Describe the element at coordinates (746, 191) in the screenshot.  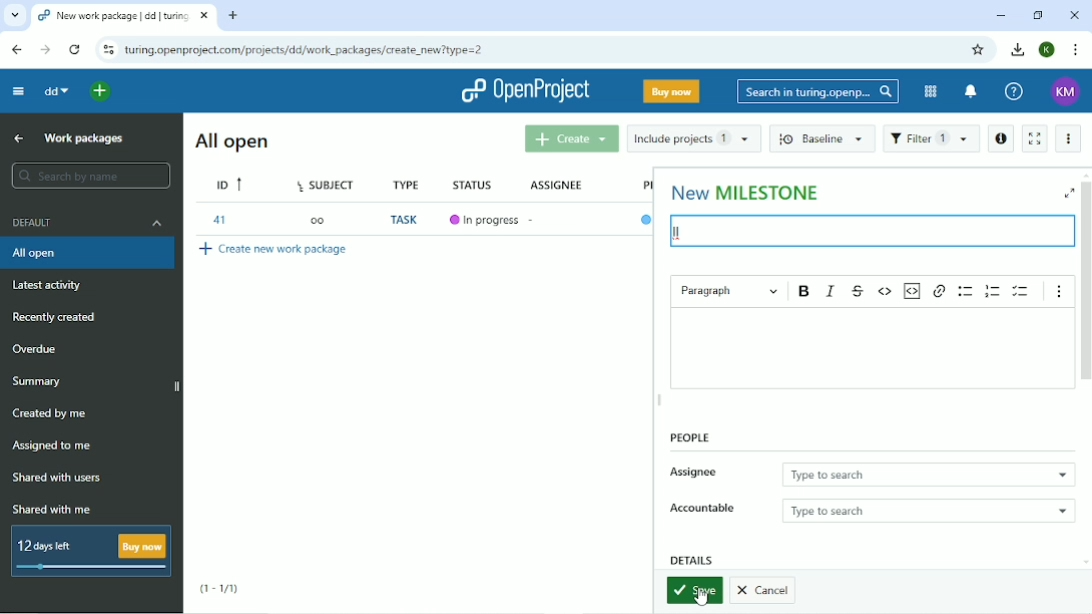
I see `New Milestone` at that location.